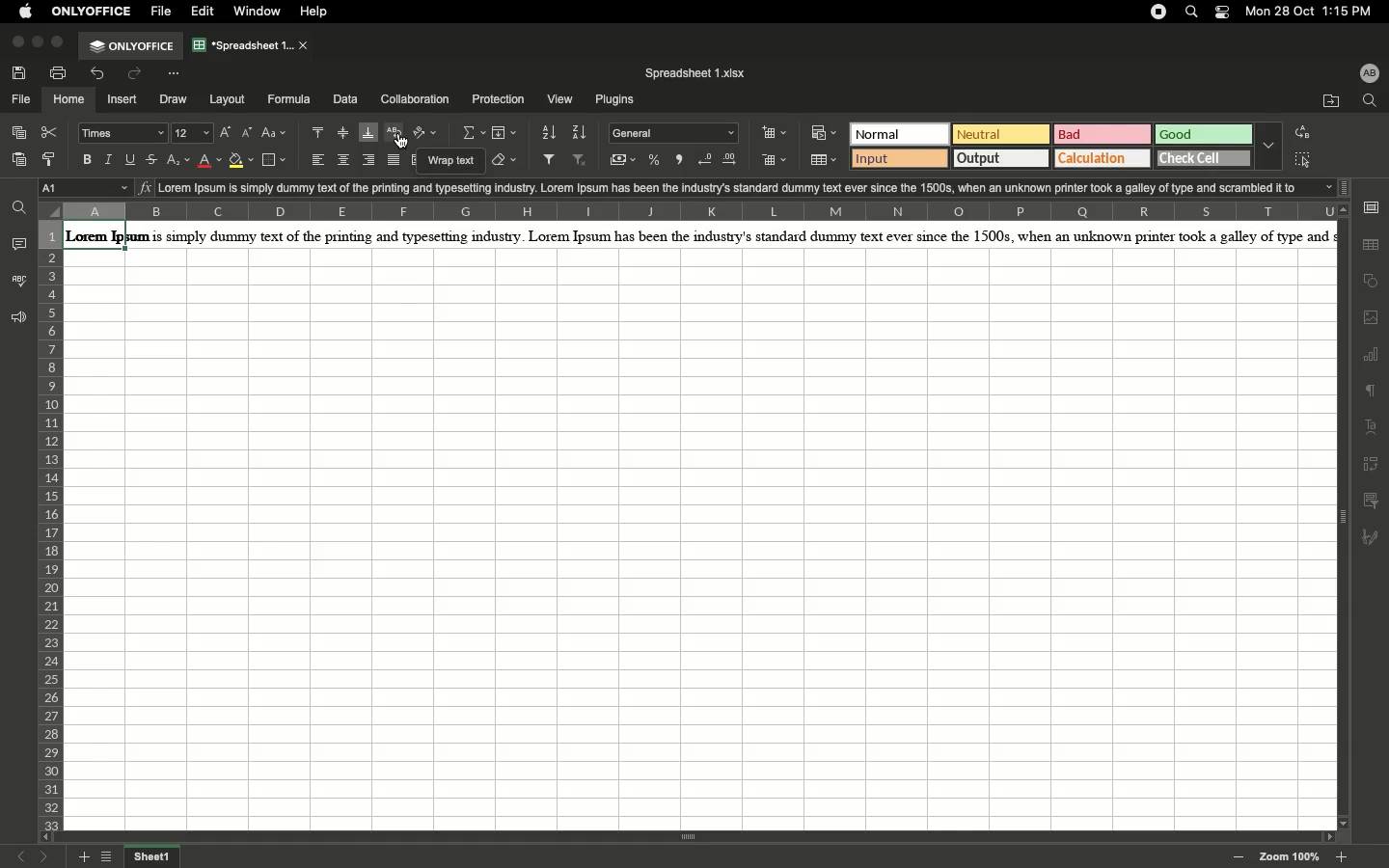 The image size is (1389, 868). Describe the element at coordinates (1372, 356) in the screenshot. I see `chart settings` at that location.